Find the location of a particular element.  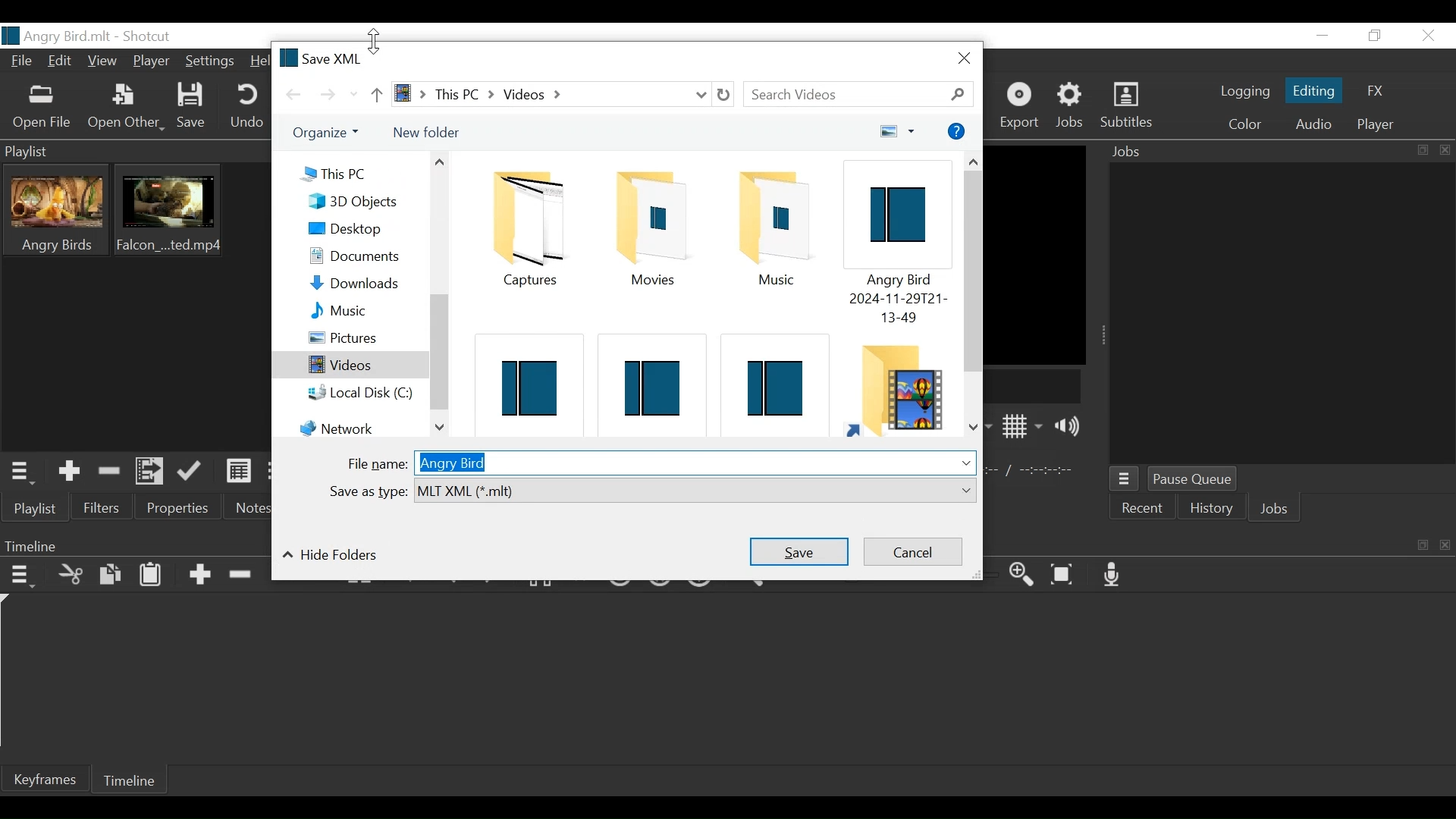

More options is located at coordinates (959, 130).